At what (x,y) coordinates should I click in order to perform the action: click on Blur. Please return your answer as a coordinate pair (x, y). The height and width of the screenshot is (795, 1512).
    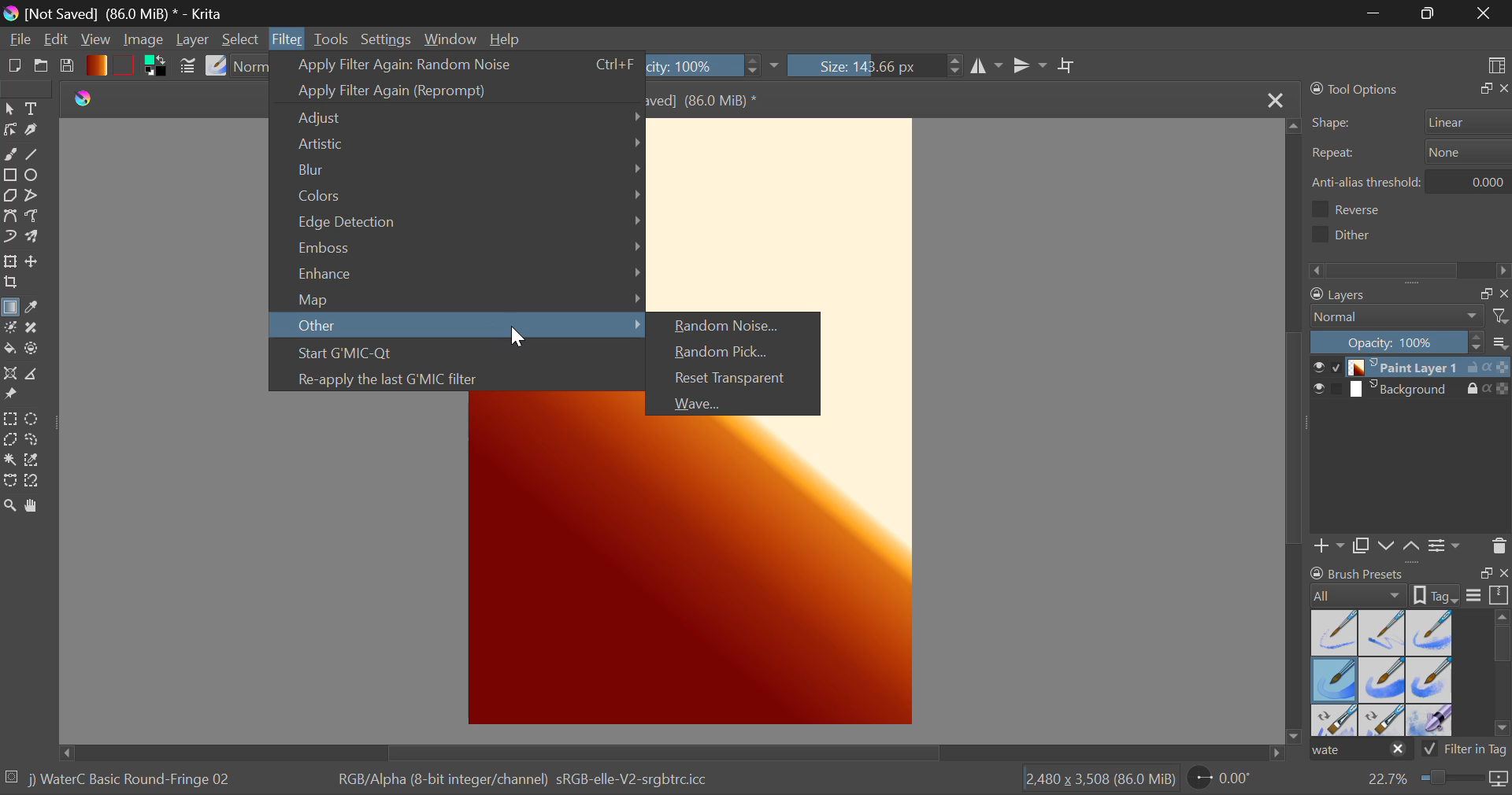
    Looking at the image, I should click on (458, 170).